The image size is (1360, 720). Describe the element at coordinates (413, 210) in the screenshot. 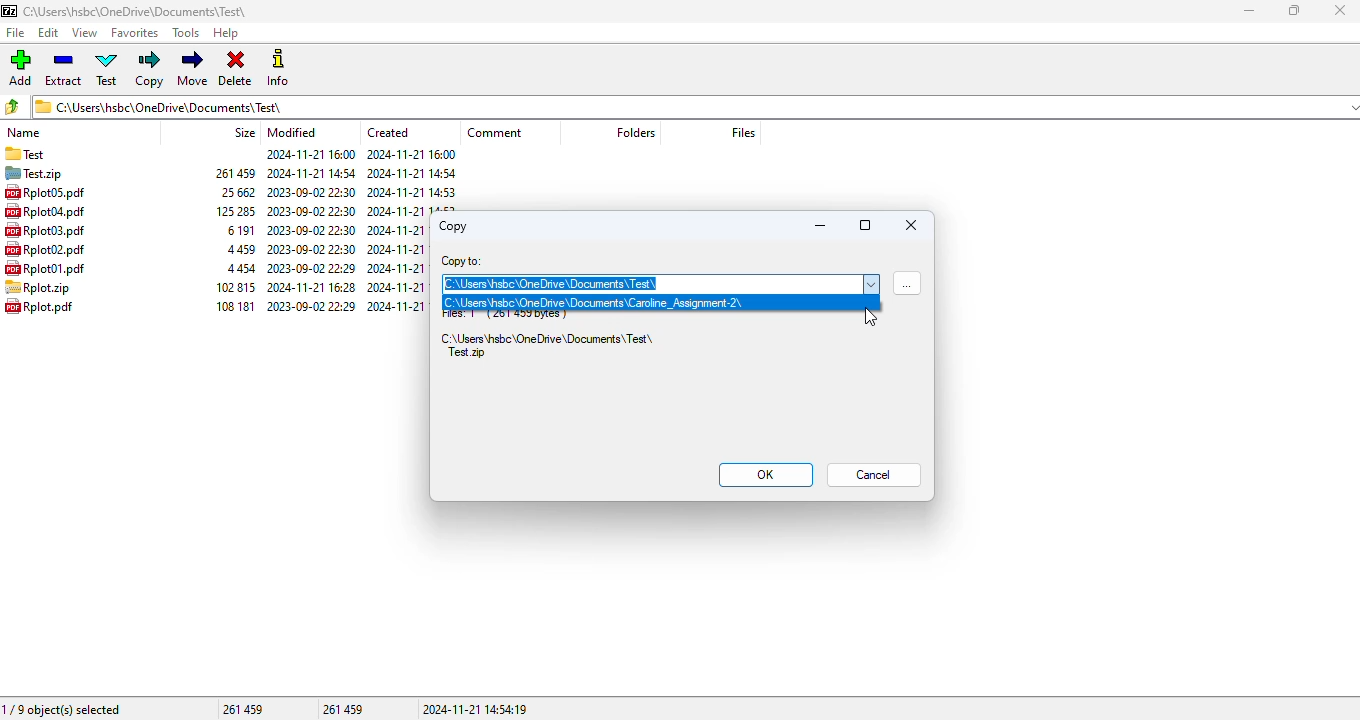

I see `created date & time` at that location.